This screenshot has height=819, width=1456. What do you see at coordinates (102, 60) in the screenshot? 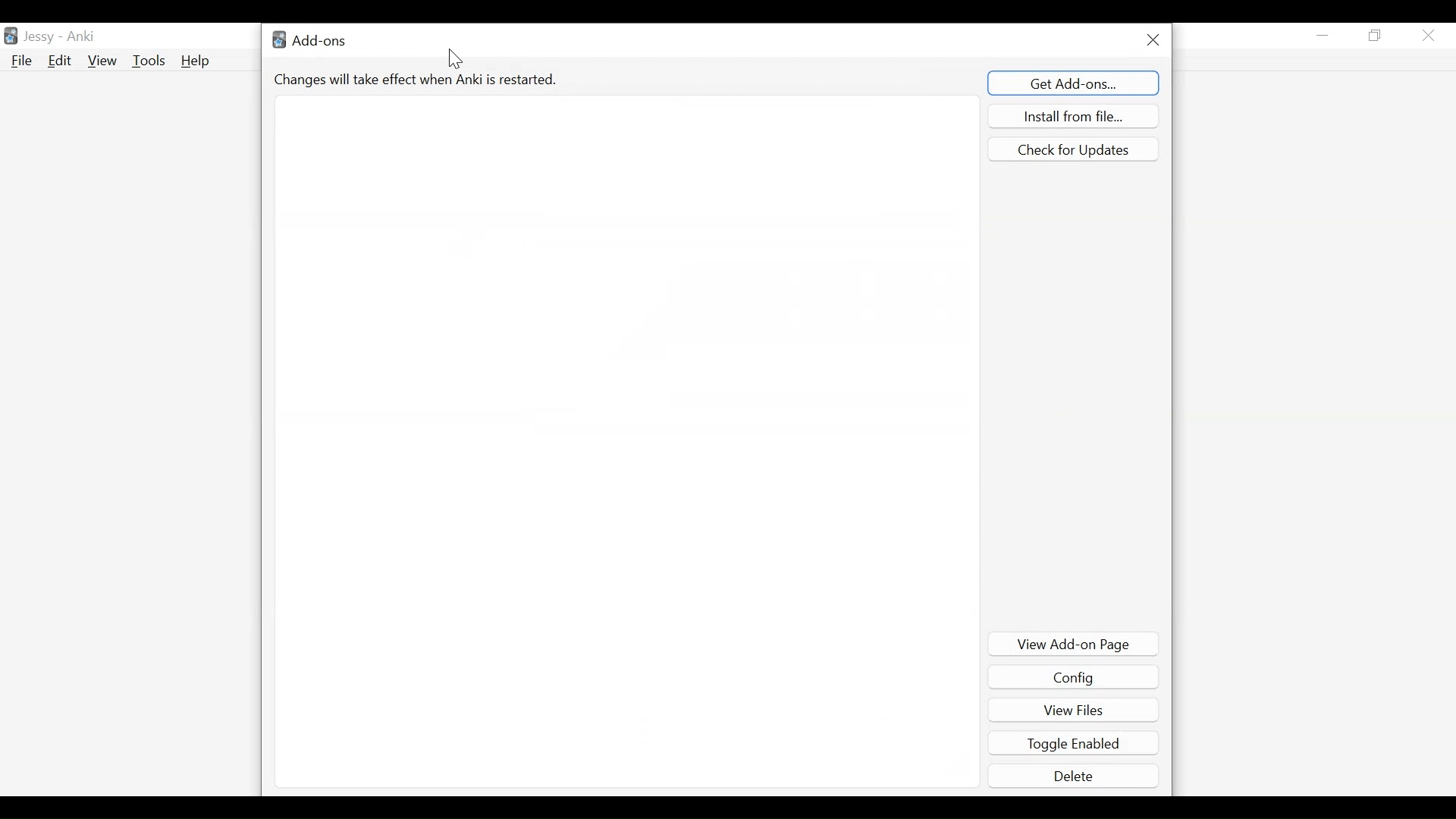
I see `View` at bounding box center [102, 60].